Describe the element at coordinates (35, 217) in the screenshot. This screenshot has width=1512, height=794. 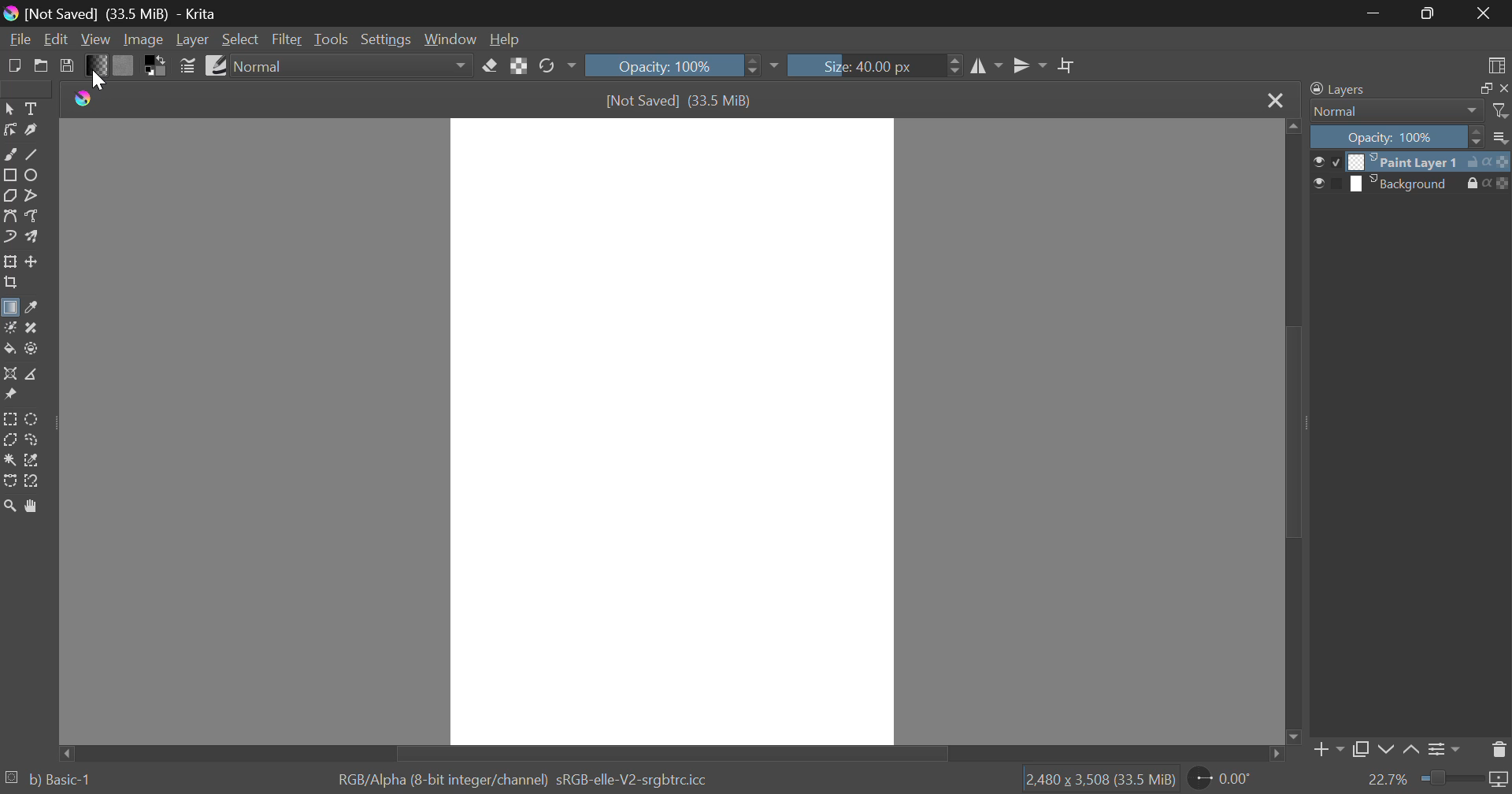
I see `Freehand Path Tool` at that location.